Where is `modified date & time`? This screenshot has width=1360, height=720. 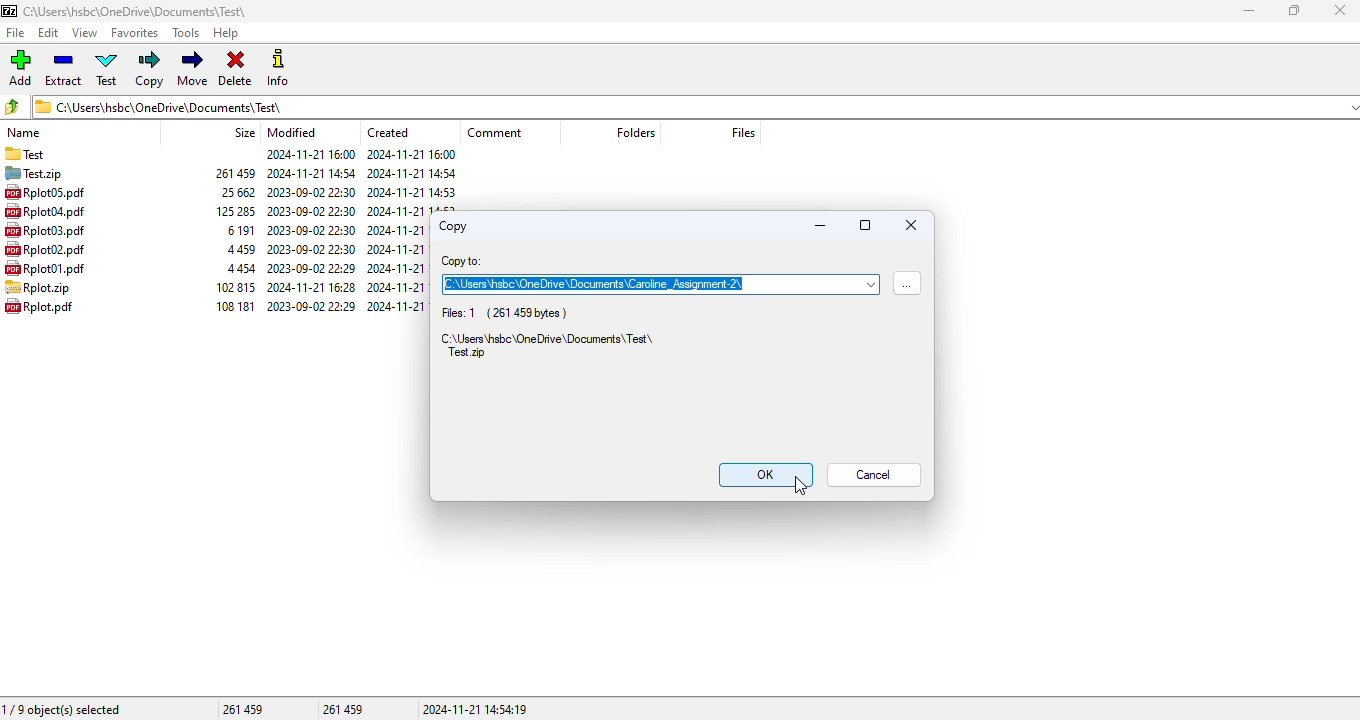 modified date & time is located at coordinates (311, 268).